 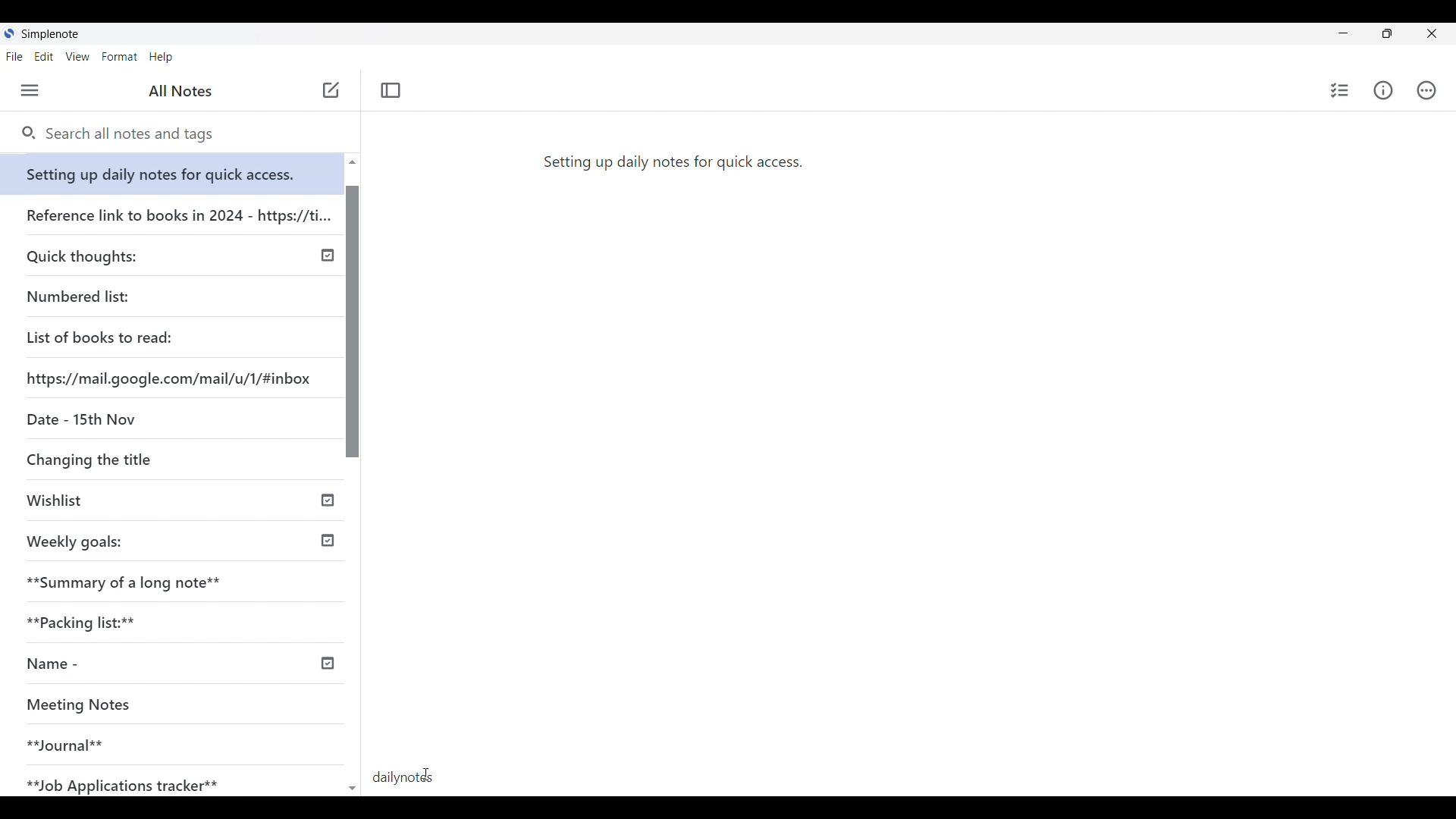 I want to click on Tag typed in, so click(x=409, y=778).